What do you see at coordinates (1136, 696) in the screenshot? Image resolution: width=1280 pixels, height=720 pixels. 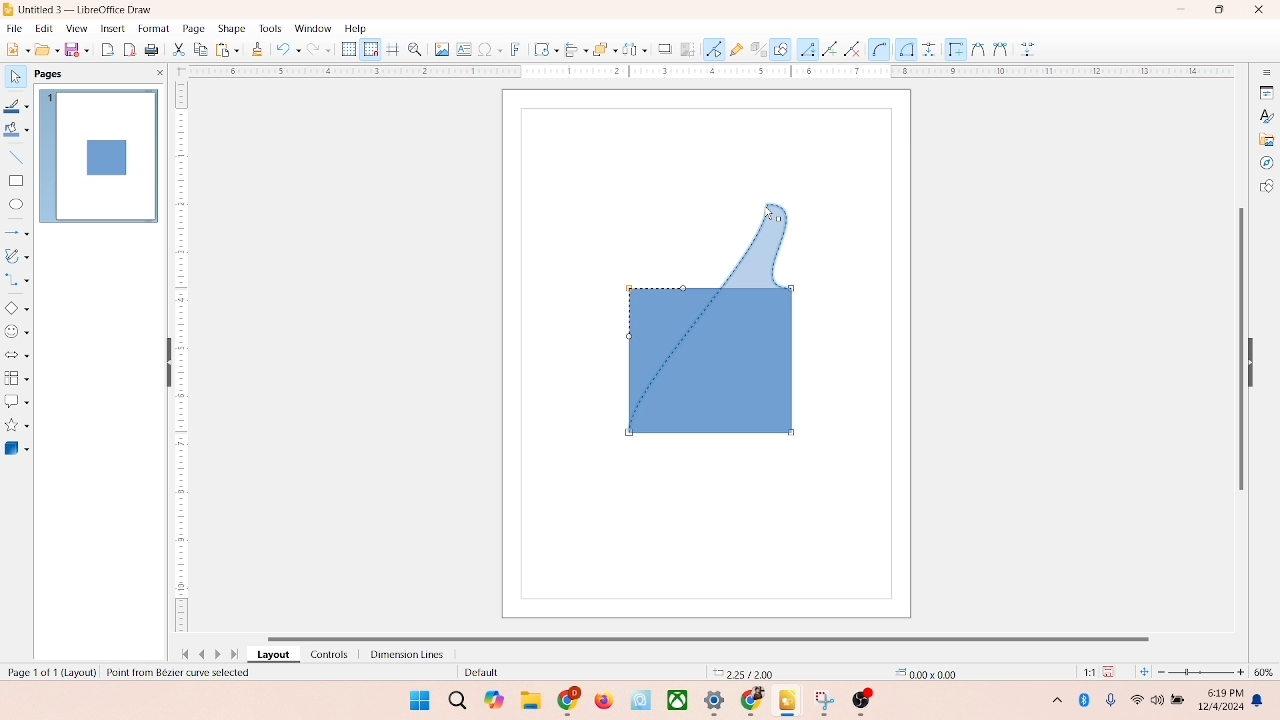 I see `wifi` at bounding box center [1136, 696].